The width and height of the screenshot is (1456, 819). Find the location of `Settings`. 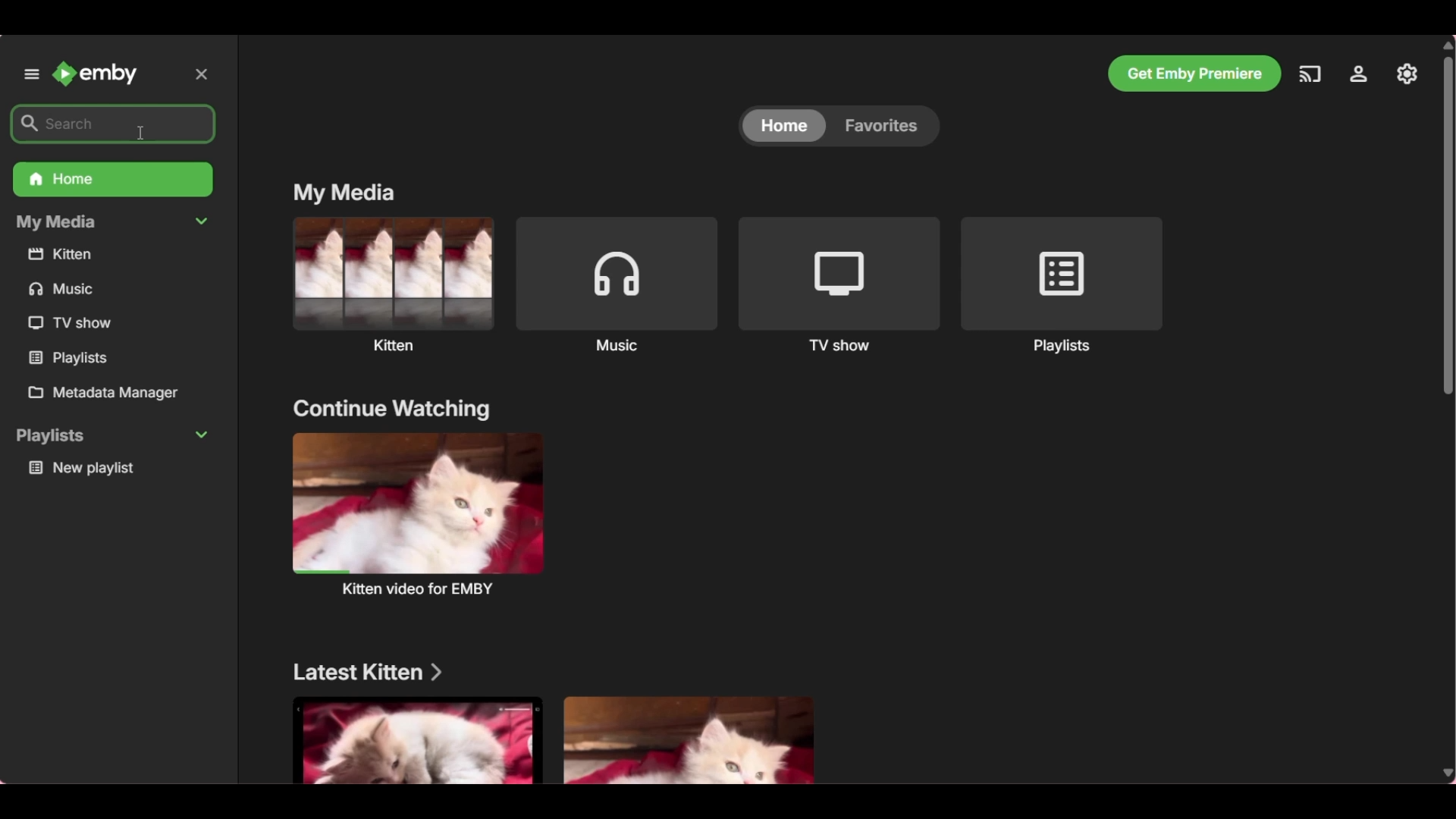

Settings is located at coordinates (1407, 72).